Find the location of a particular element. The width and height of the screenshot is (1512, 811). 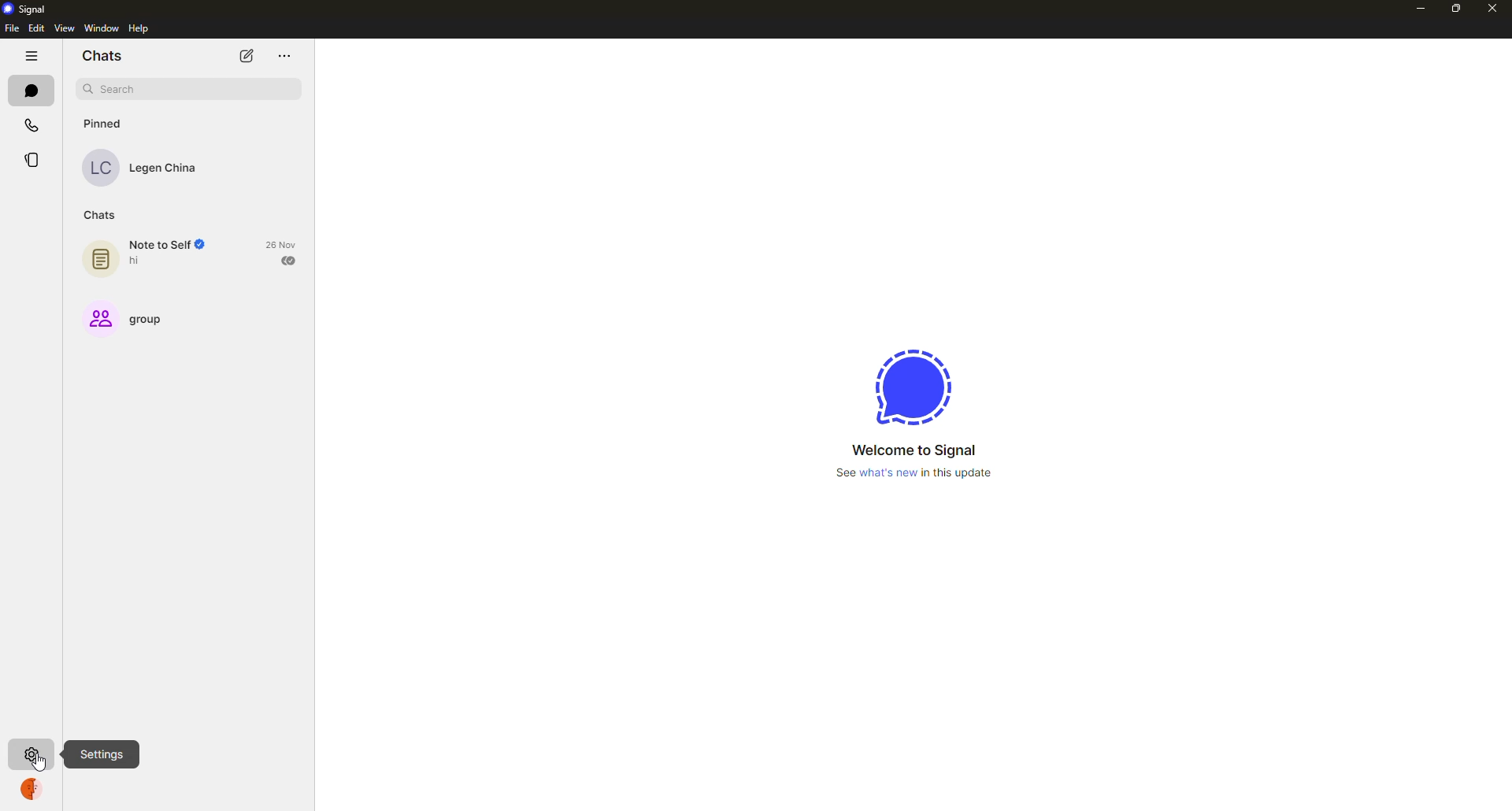

See what's new in this update is located at coordinates (911, 475).